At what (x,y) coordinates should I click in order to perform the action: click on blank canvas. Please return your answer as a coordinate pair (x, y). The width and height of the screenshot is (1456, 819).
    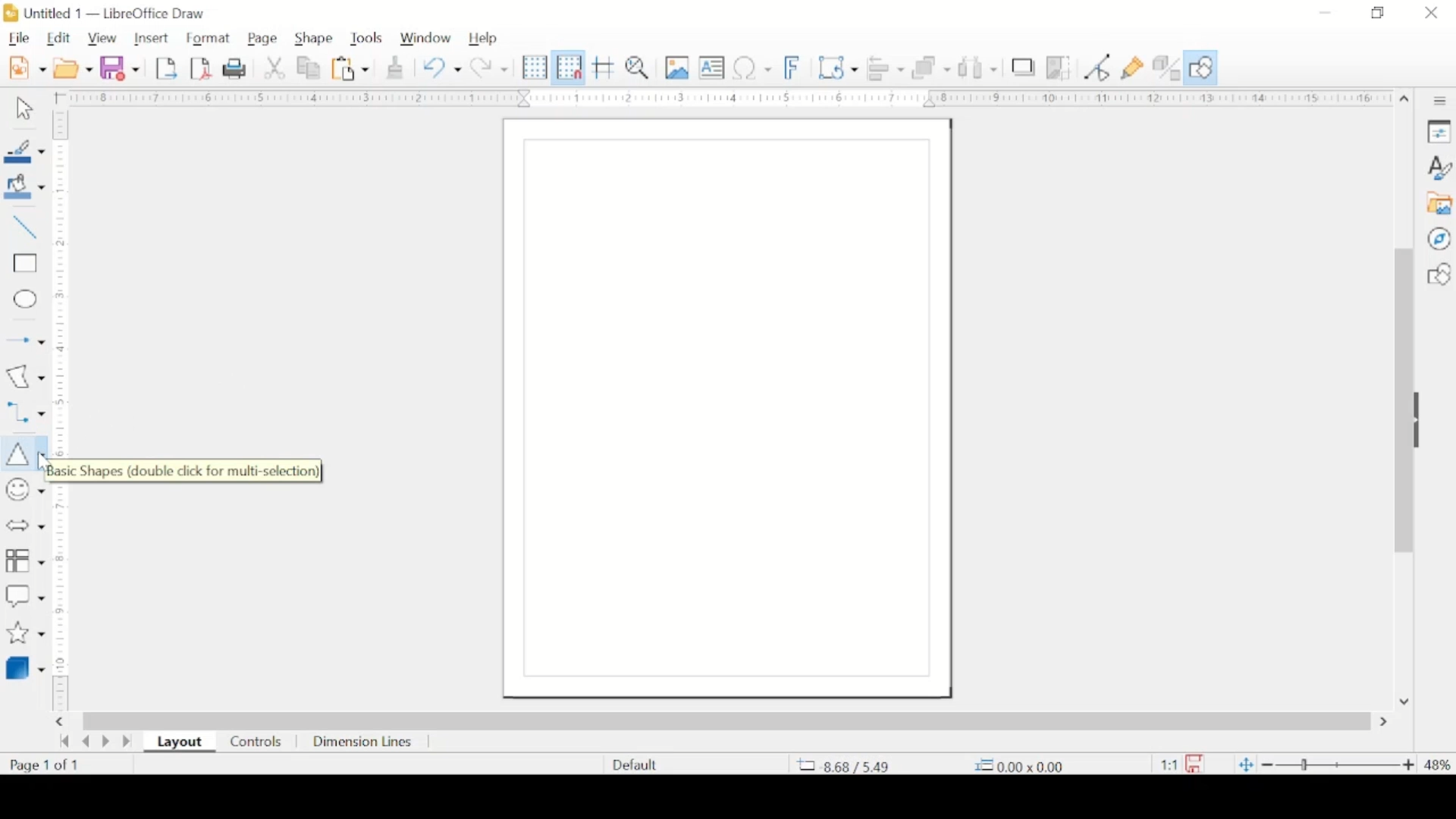
    Looking at the image, I should click on (726, 409).